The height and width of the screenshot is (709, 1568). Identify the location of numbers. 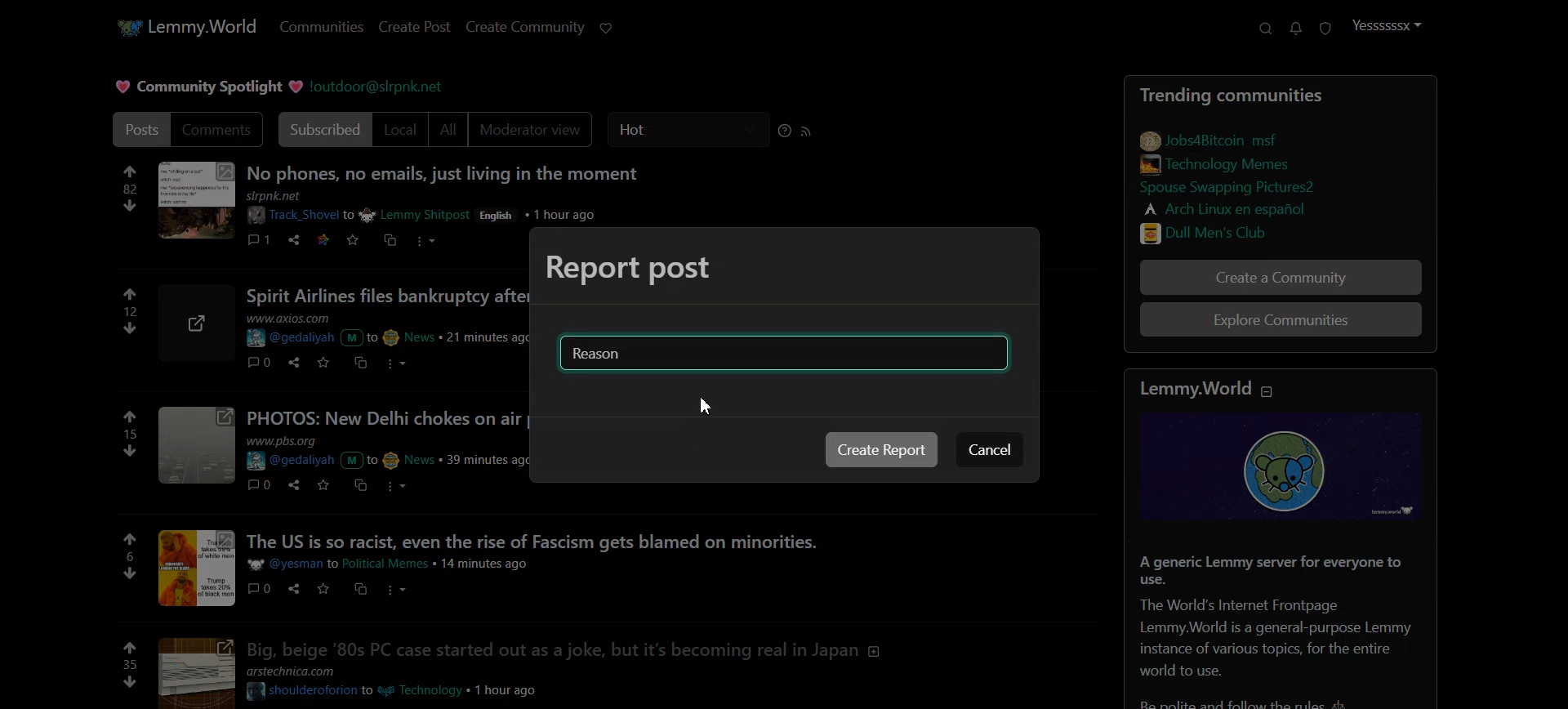
(131, 434).